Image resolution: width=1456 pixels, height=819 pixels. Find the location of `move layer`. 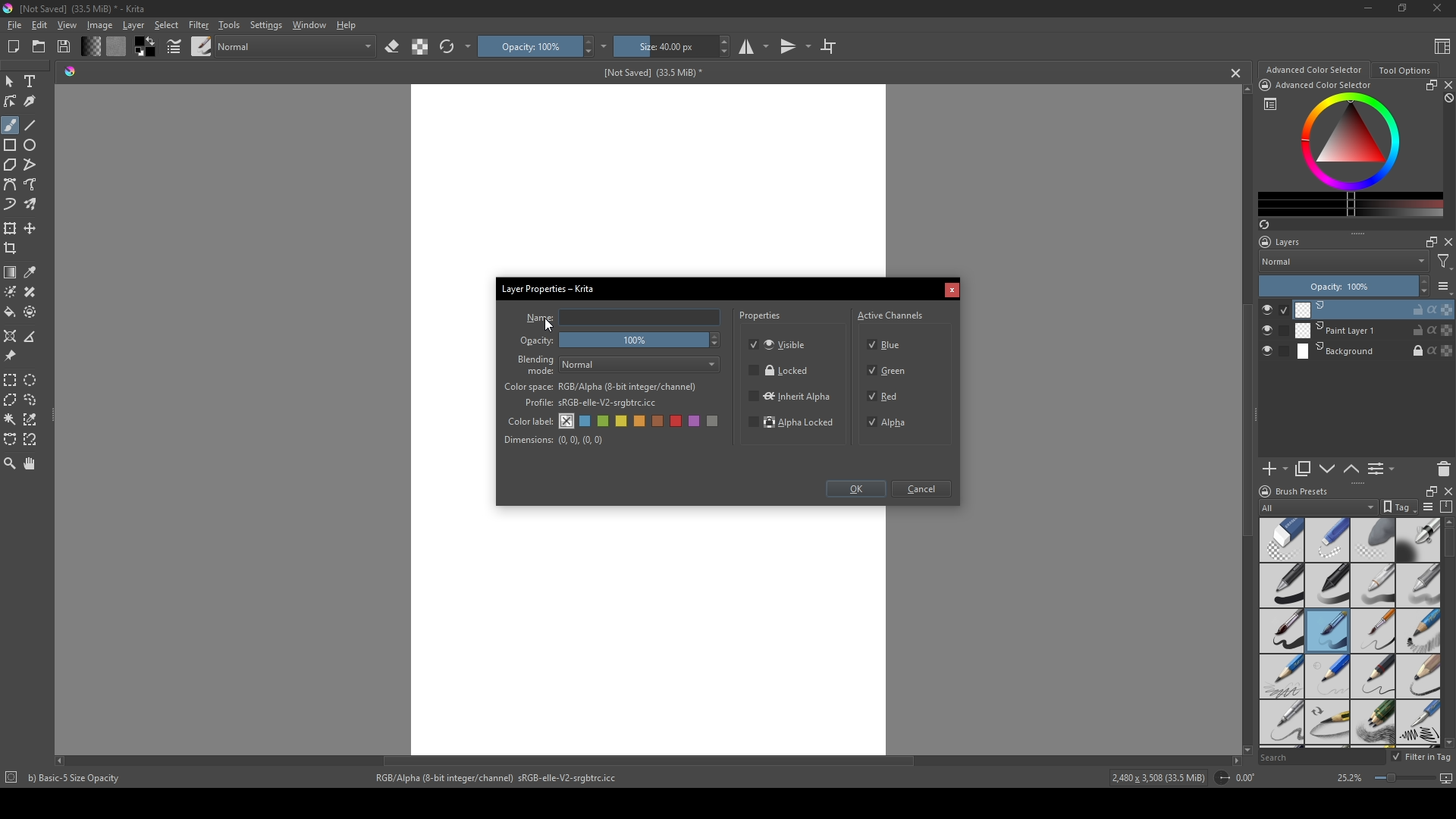

move layer is located at coordinates (30, 228).